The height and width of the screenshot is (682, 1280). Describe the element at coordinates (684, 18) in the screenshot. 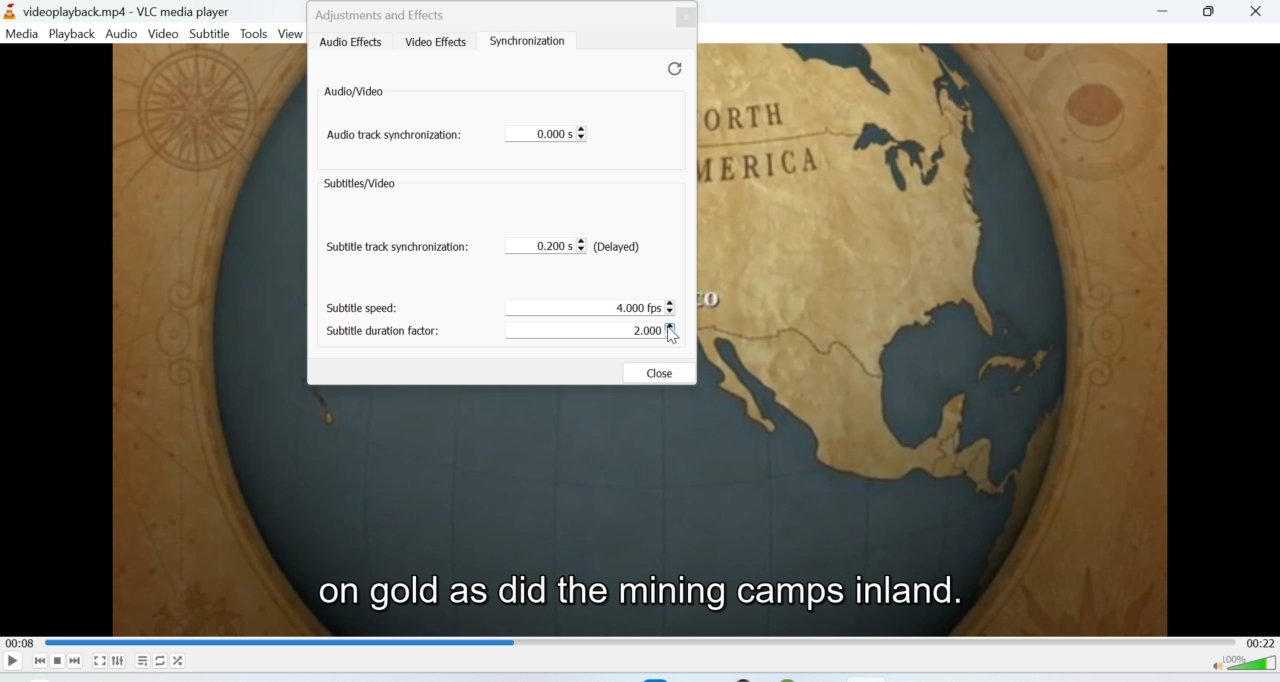

I see `Close` at that location.